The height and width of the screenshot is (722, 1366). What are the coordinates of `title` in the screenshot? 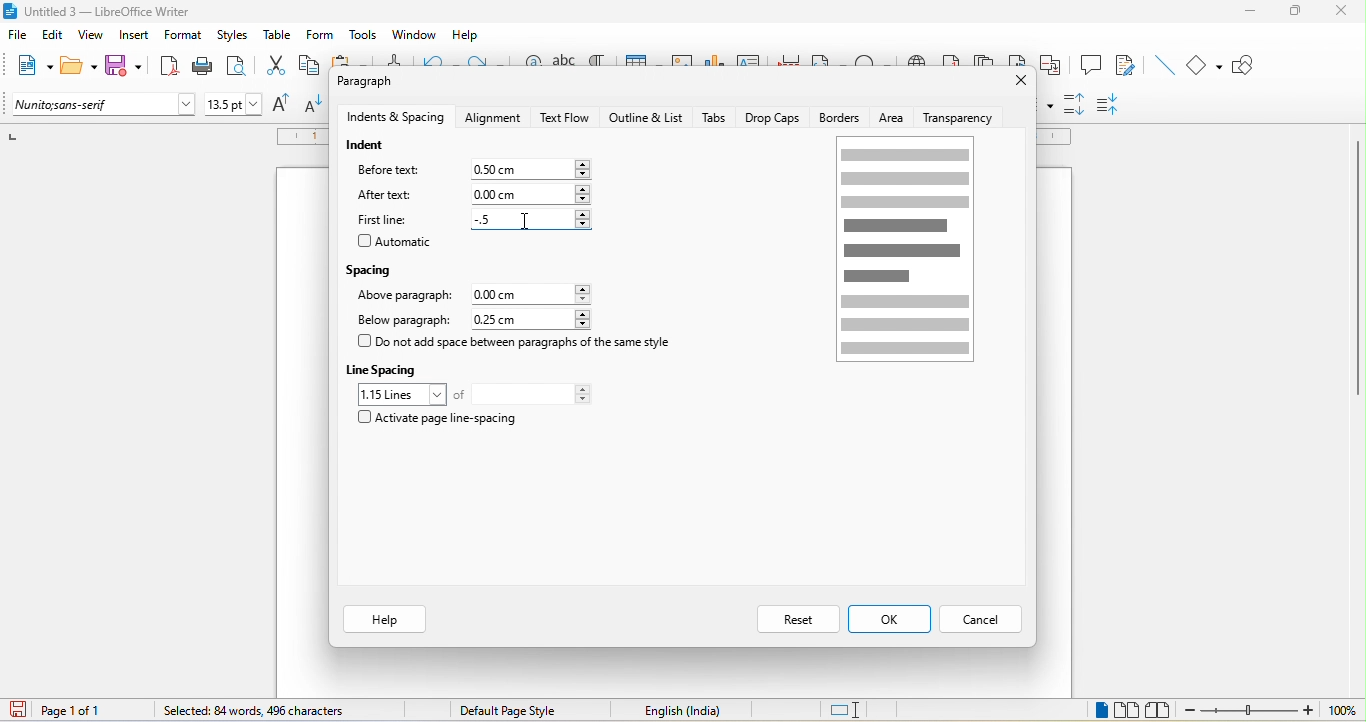 It's located at (97, 12).